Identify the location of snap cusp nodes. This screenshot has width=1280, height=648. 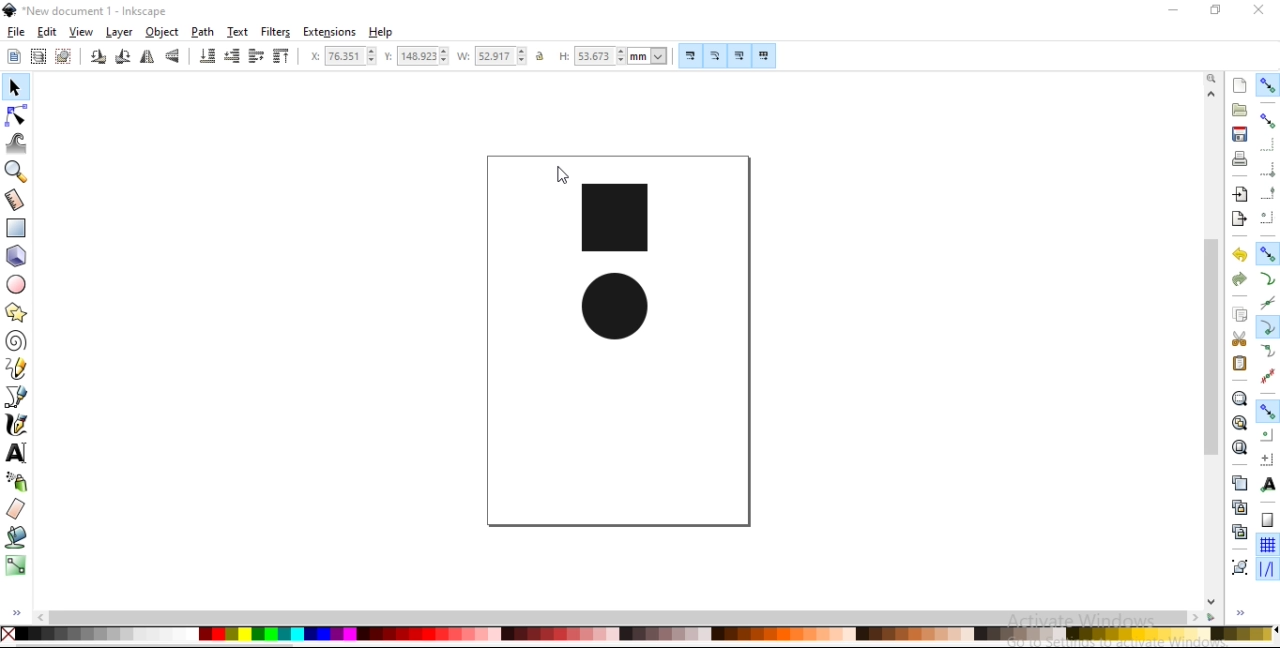
(1267, 327).